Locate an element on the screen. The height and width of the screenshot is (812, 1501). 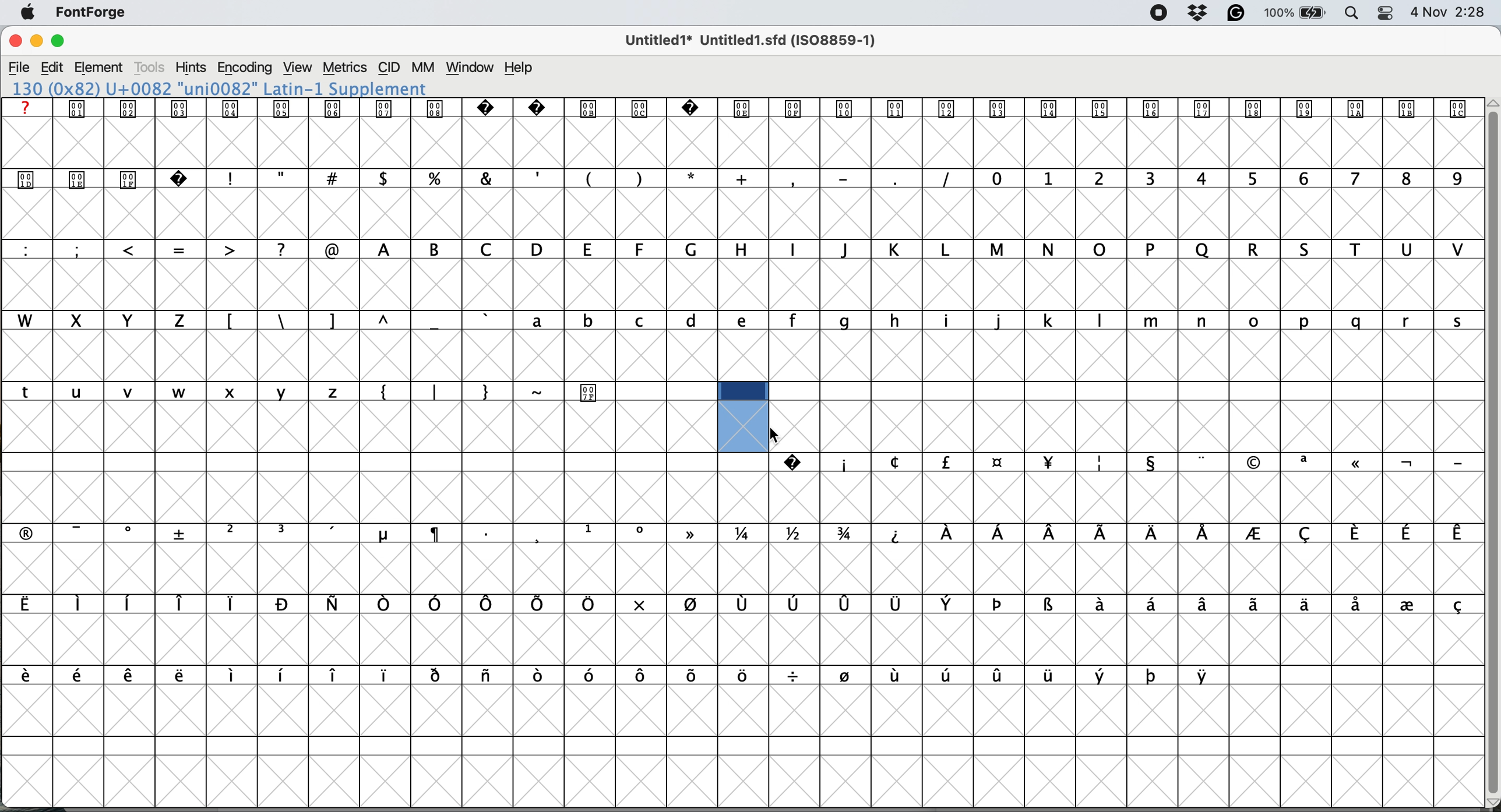
symbols is located at coordinates (742, 534).